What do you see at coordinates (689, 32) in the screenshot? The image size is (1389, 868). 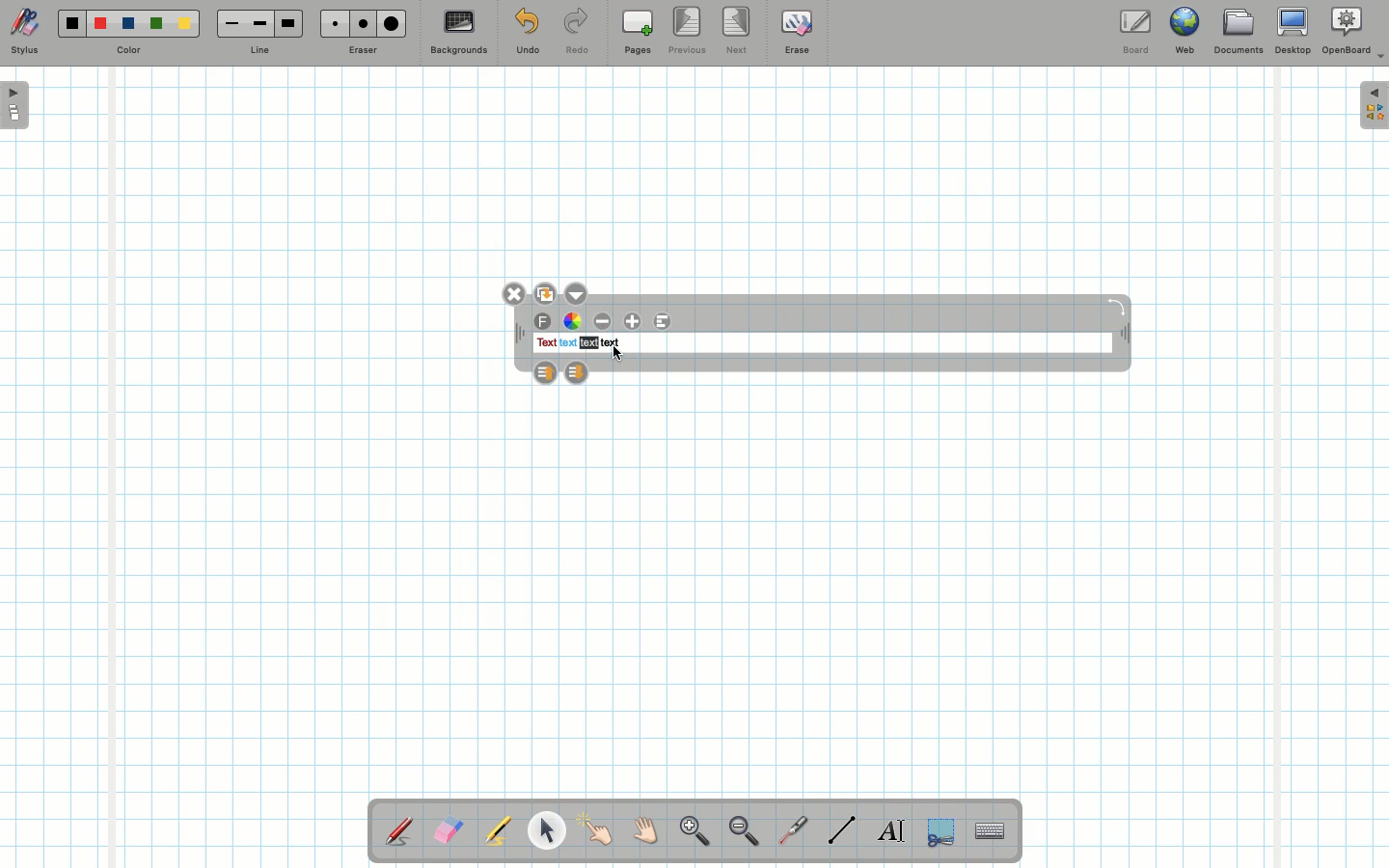 I see `Previous` at bounding box center [689, 32].